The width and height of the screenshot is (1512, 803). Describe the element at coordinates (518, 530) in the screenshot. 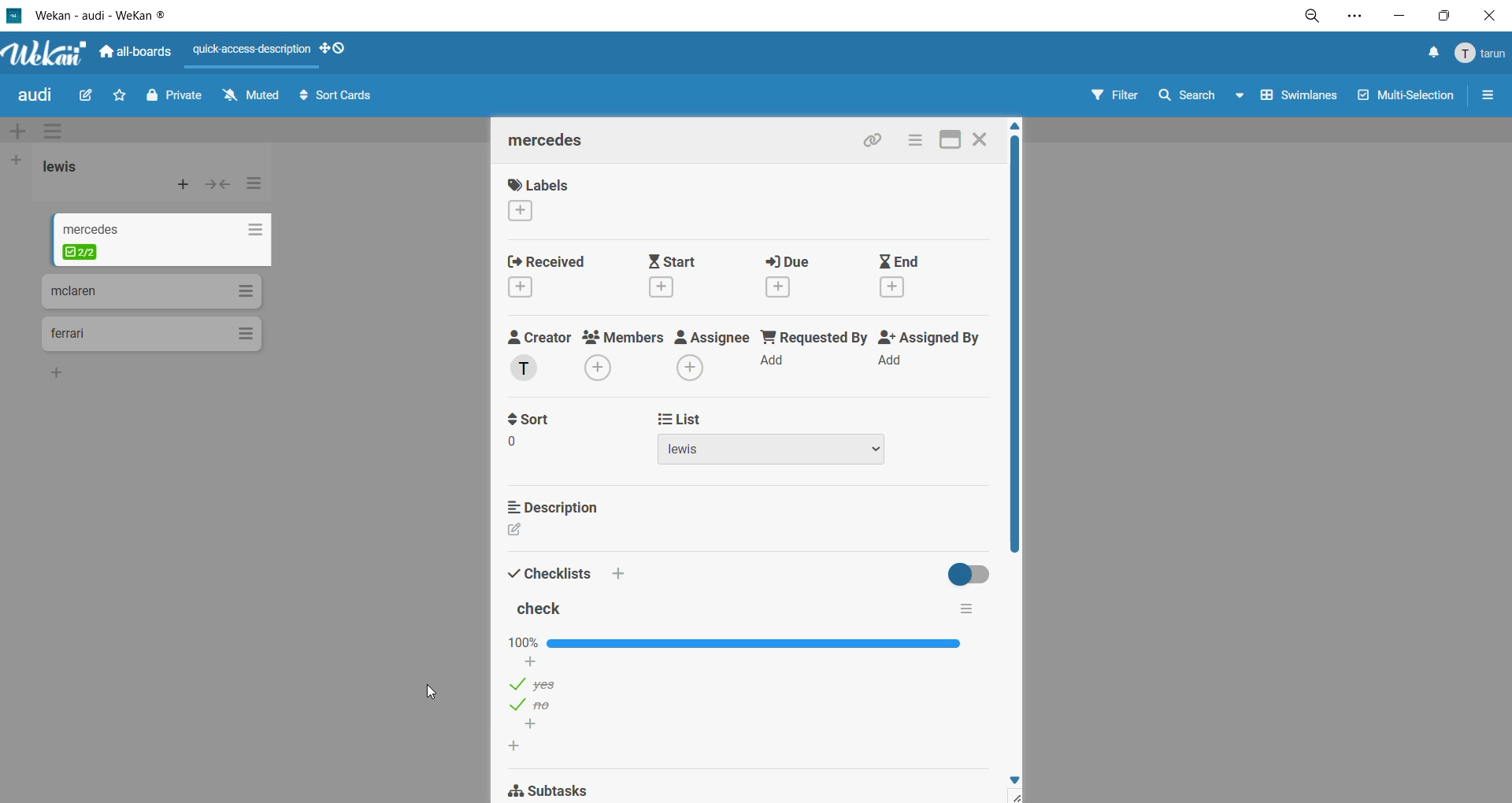

I see `edit` at that location.